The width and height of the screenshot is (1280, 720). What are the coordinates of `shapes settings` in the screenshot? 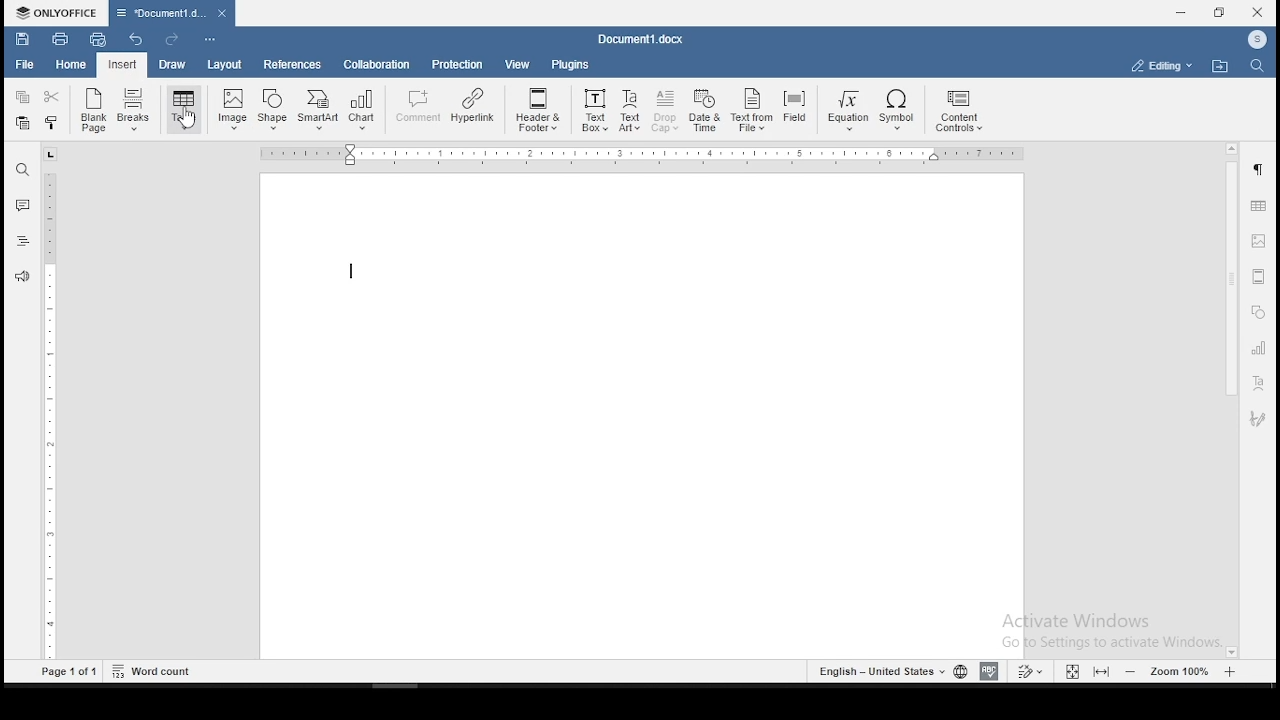 It's located at (1257, 312).